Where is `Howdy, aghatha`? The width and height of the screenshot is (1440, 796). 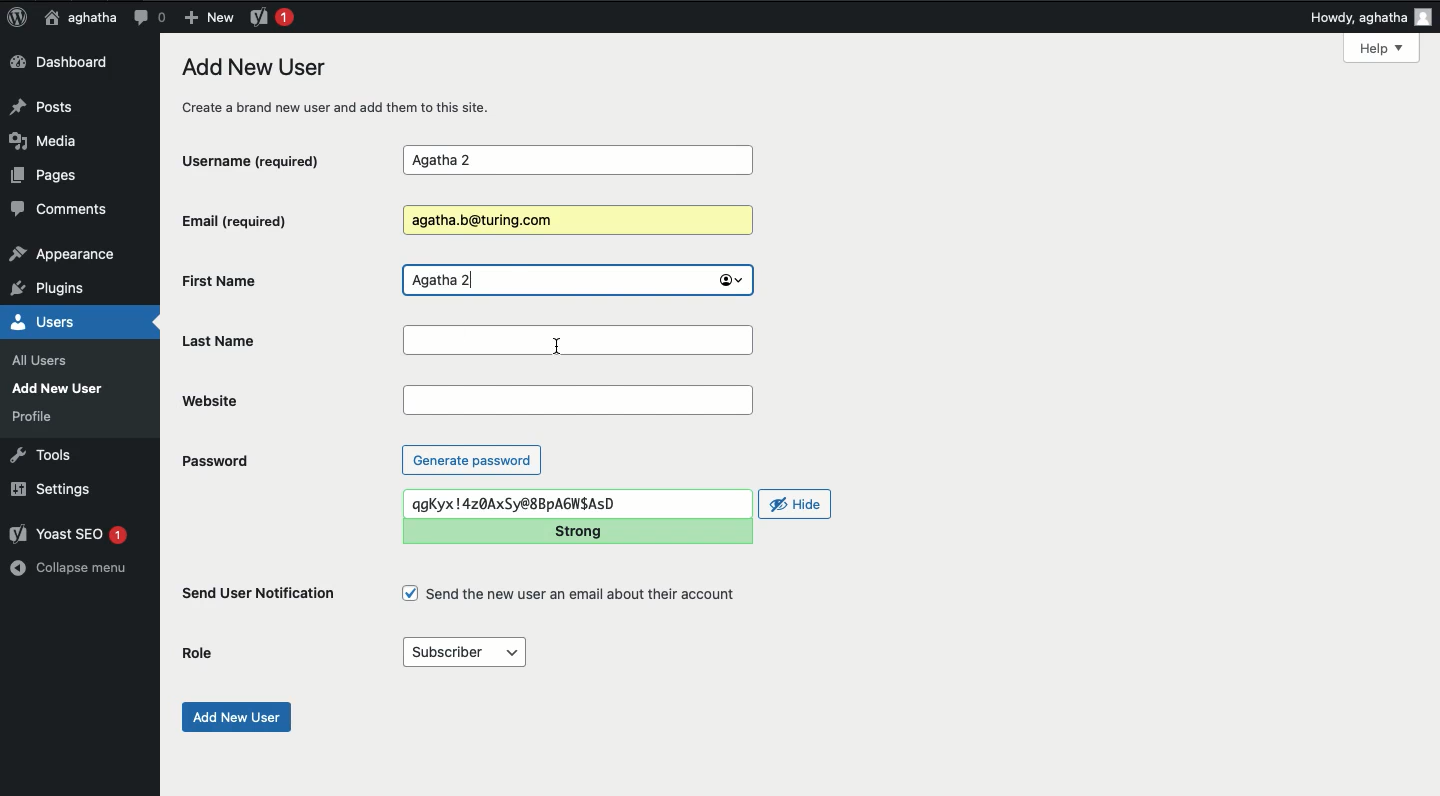
Howdy, aghatha is located at coordinates (1371, 17).